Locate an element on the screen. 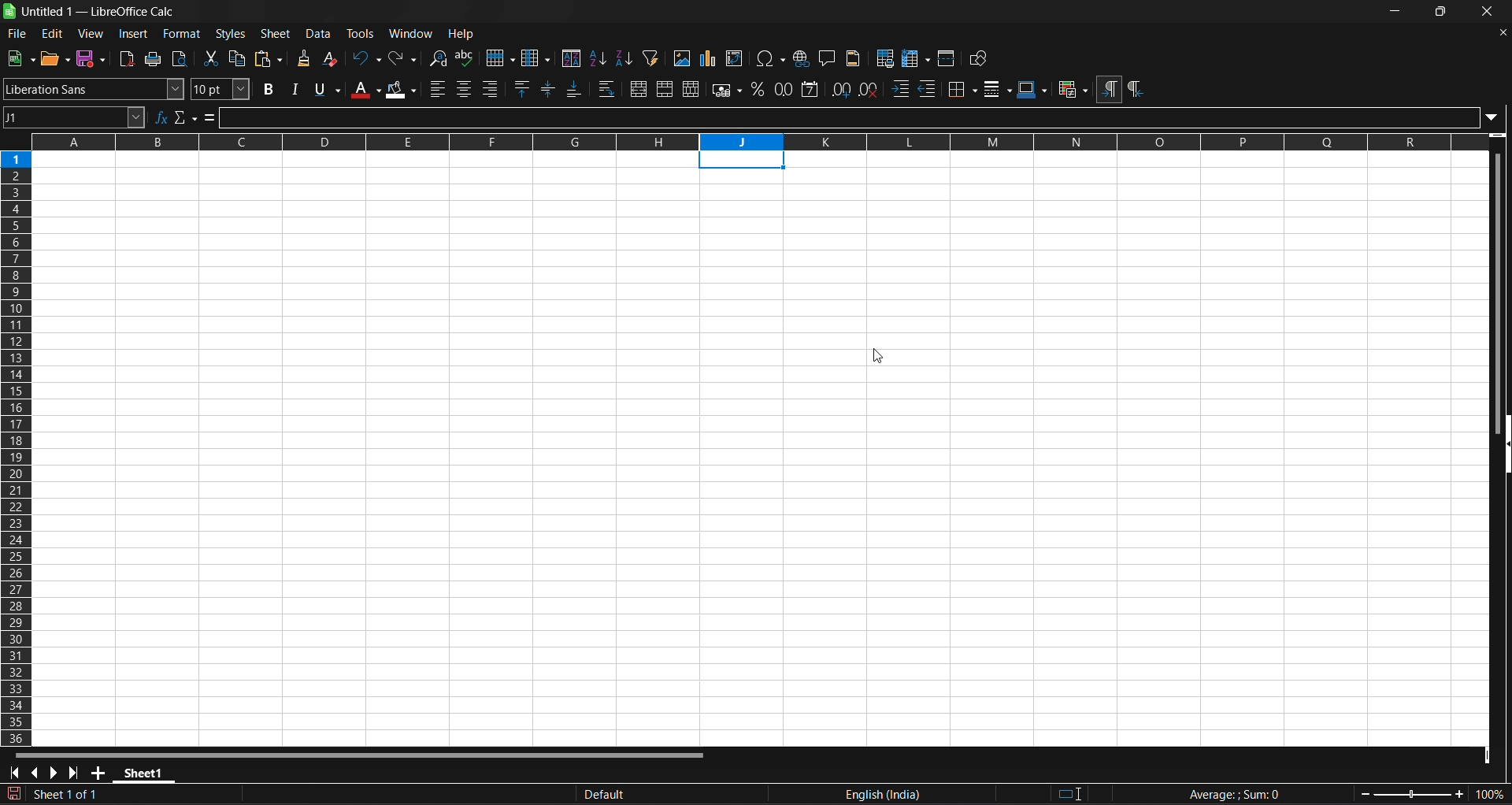  insert comment is located at coordinates (830, 57).